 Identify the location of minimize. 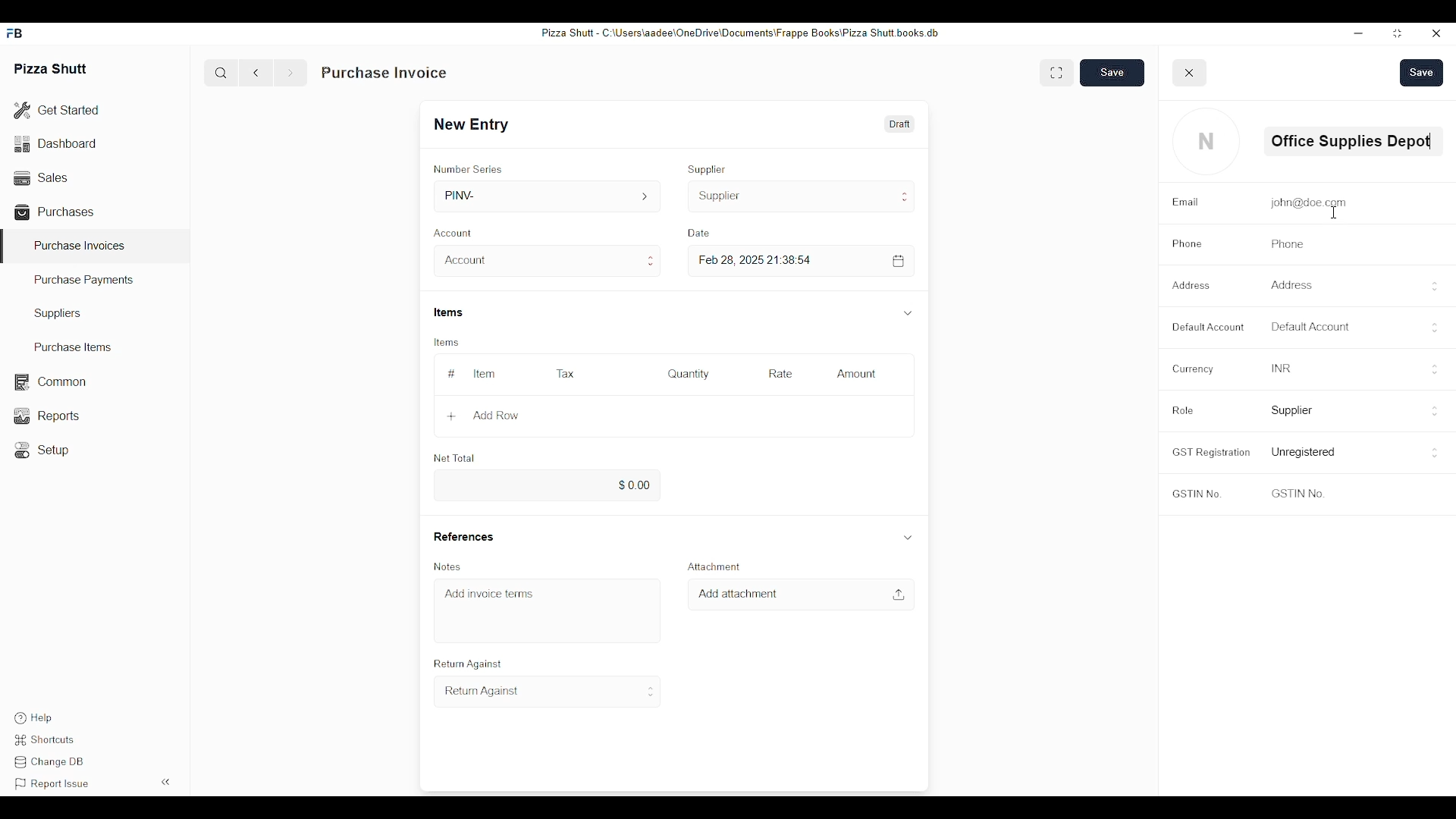
(1358, 33).